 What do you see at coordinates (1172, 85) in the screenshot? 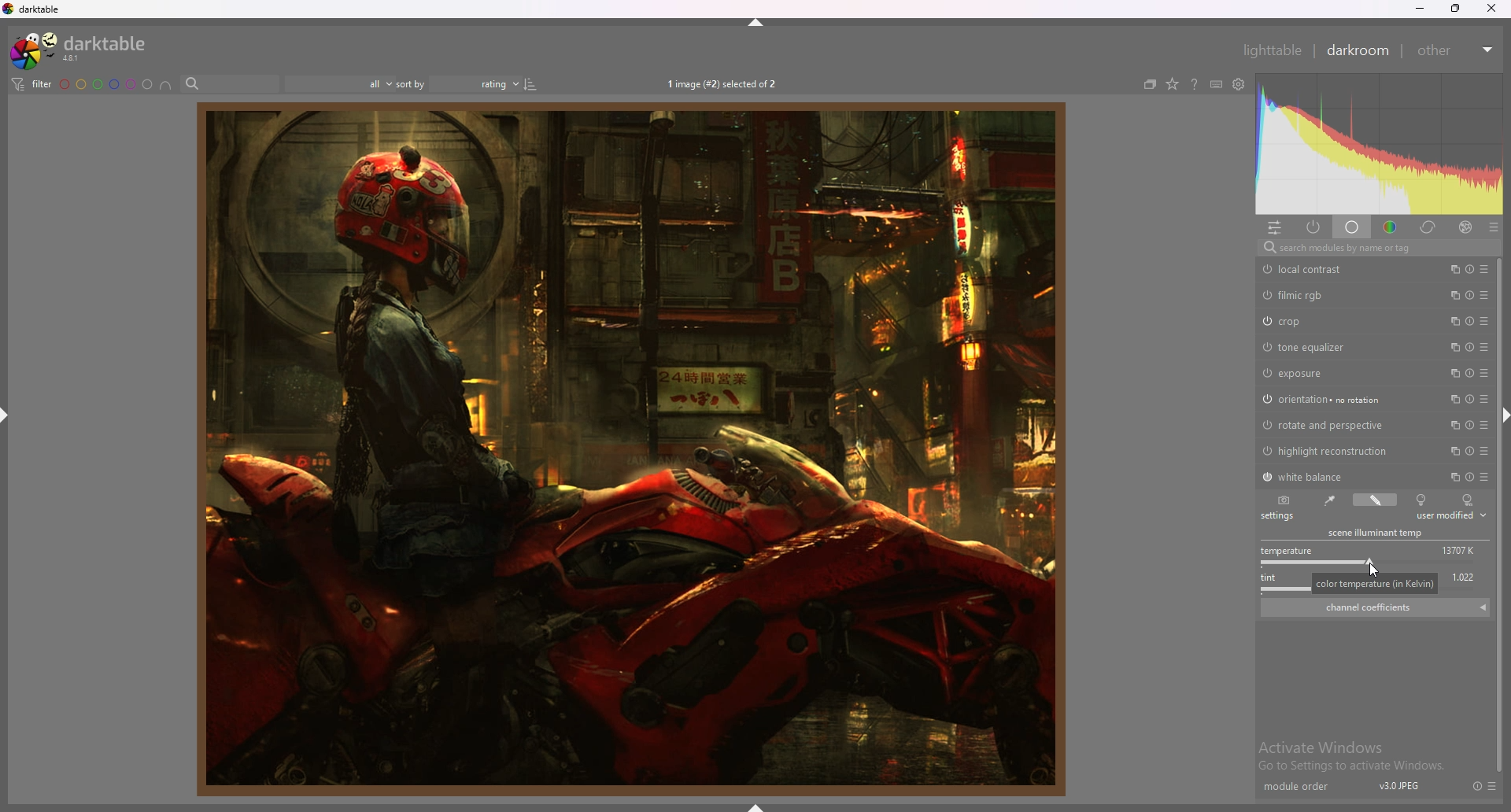
I see `change overlay type` at bounding box center [1172, 85].